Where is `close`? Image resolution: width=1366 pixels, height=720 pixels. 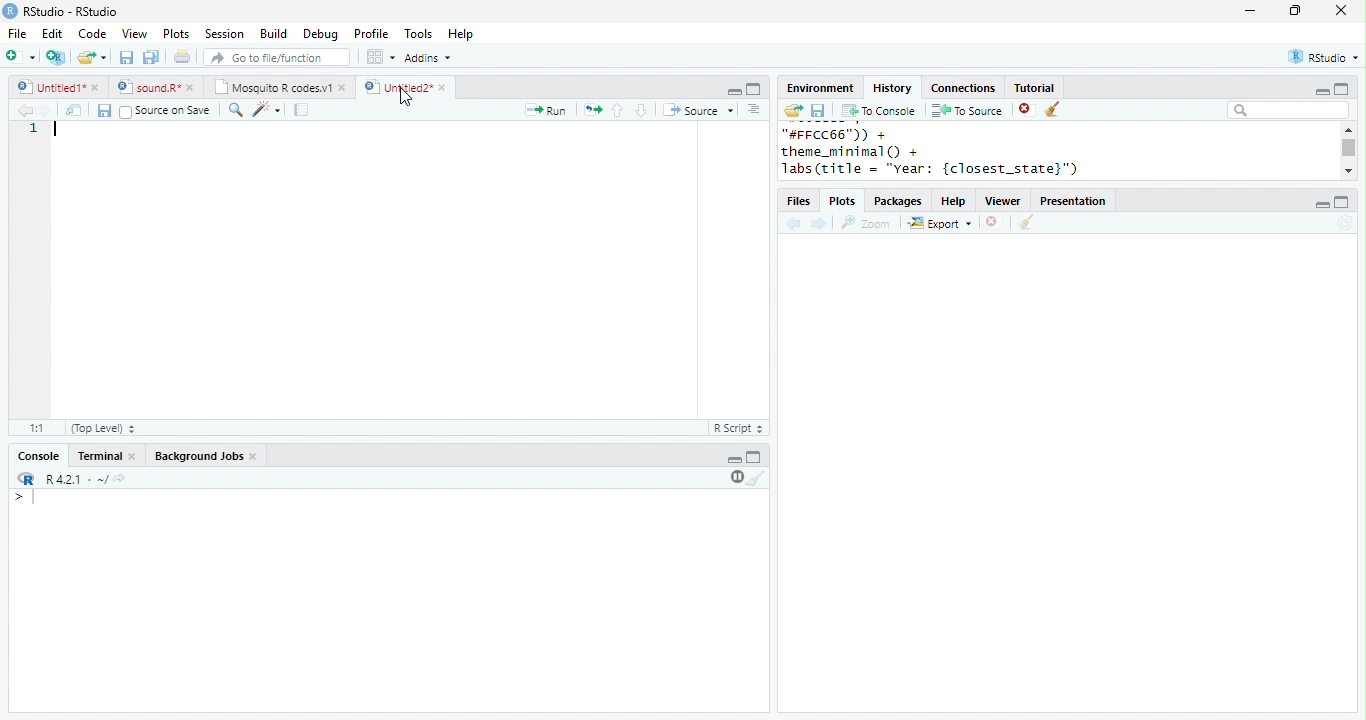
close is located at coordinates (443, 87).